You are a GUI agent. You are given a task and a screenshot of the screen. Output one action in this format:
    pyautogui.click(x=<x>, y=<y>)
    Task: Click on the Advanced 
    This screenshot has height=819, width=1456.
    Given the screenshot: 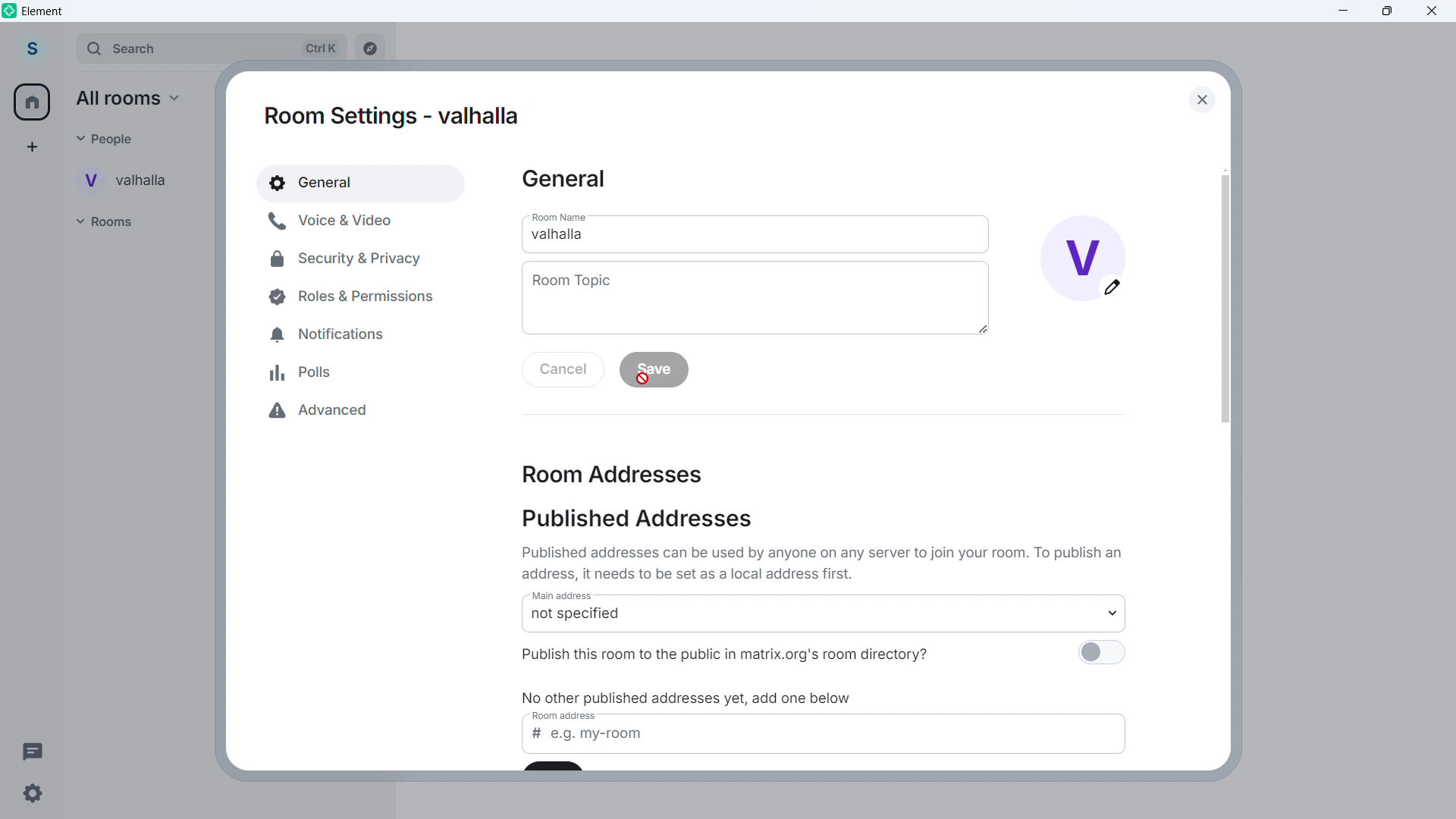 What is the action you would take?
    pyautogui.click(x=330, y=412)
    